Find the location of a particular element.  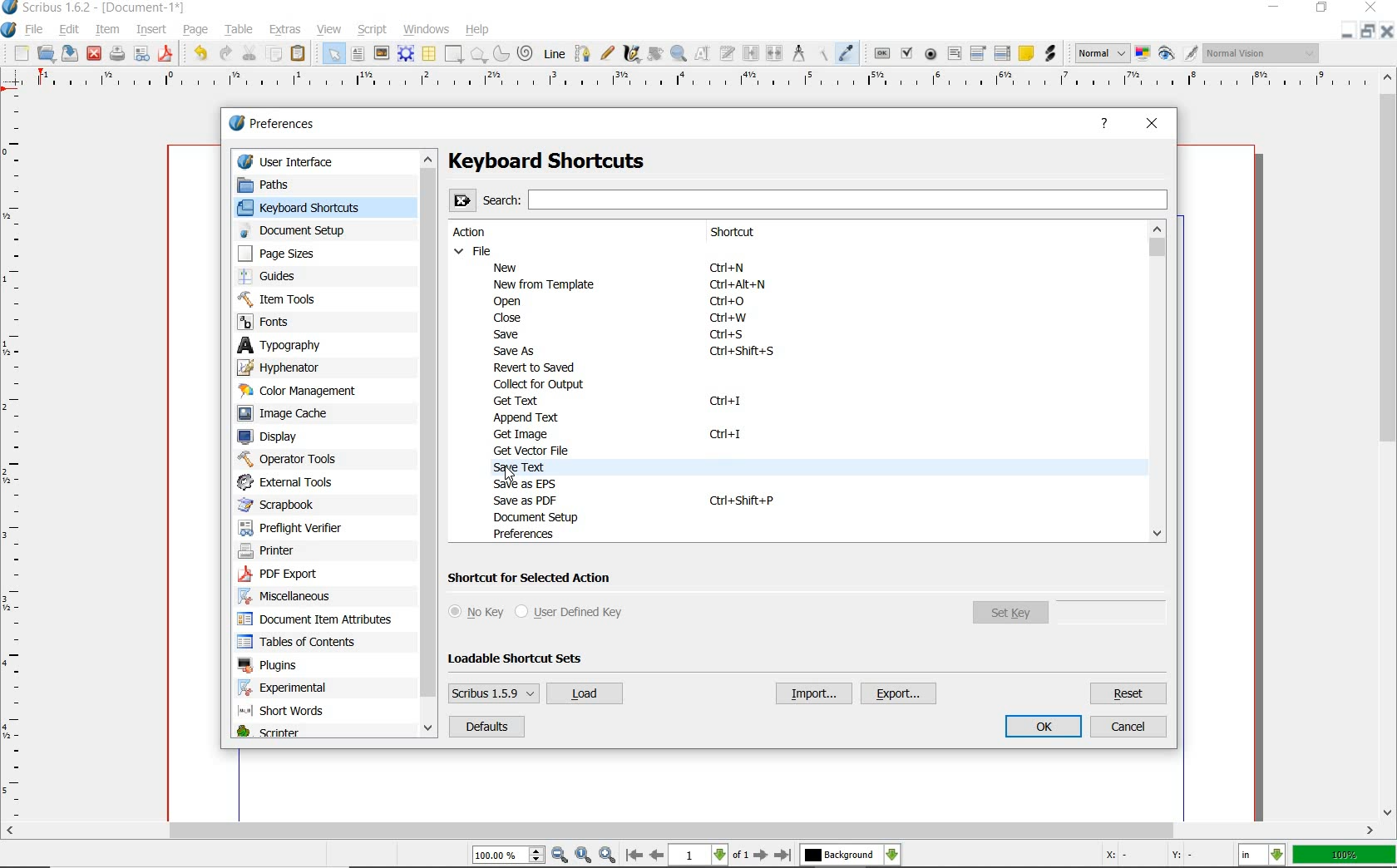

insert is located at coordinates (151, 30).